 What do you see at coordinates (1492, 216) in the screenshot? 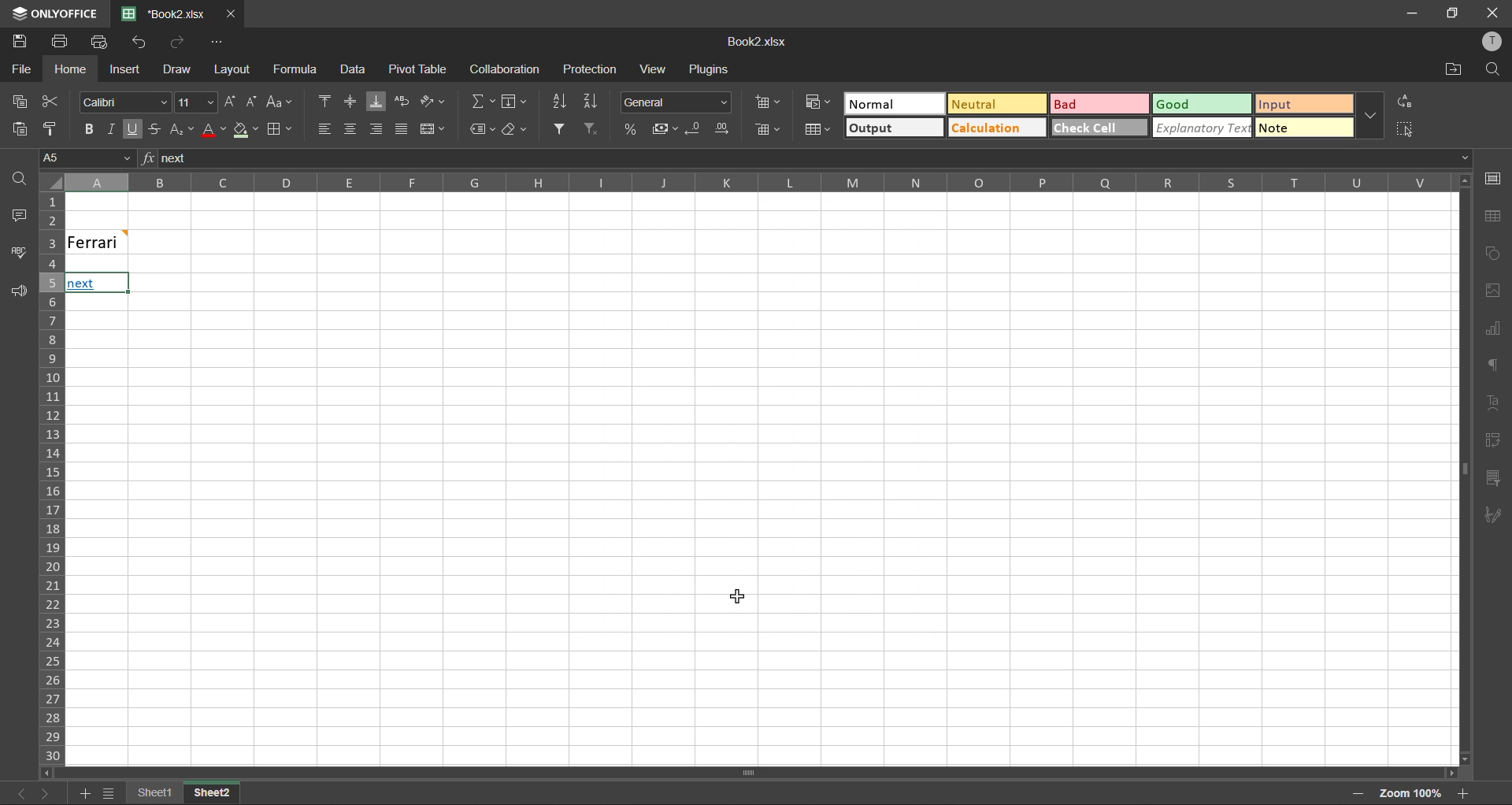
I see `table` at bounding box center [1492, 216].